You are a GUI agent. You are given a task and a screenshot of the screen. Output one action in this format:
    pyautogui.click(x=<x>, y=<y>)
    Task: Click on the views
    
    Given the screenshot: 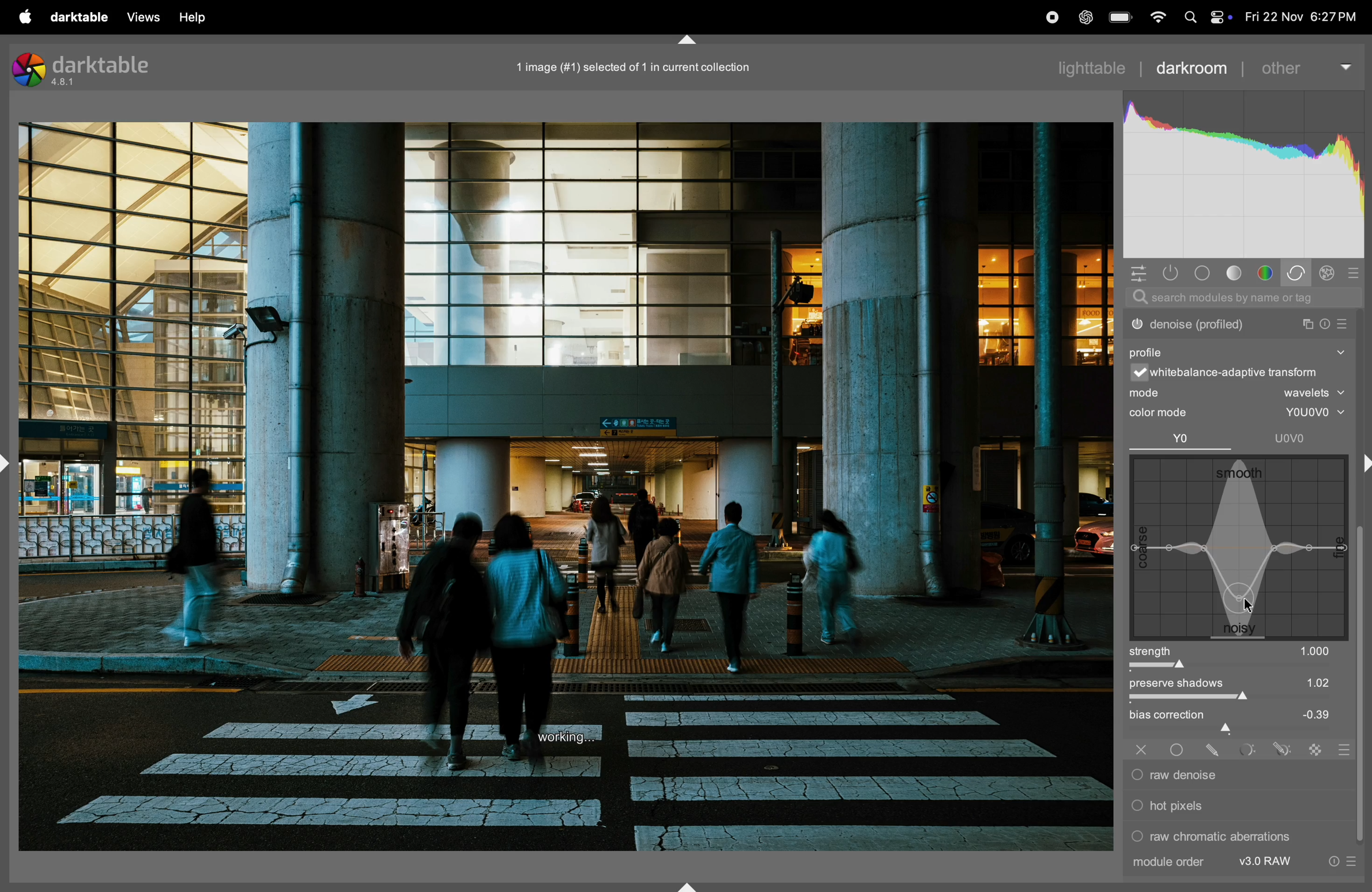 What is the action you would take?
    pyautogui.click(x=144, y=17)
    